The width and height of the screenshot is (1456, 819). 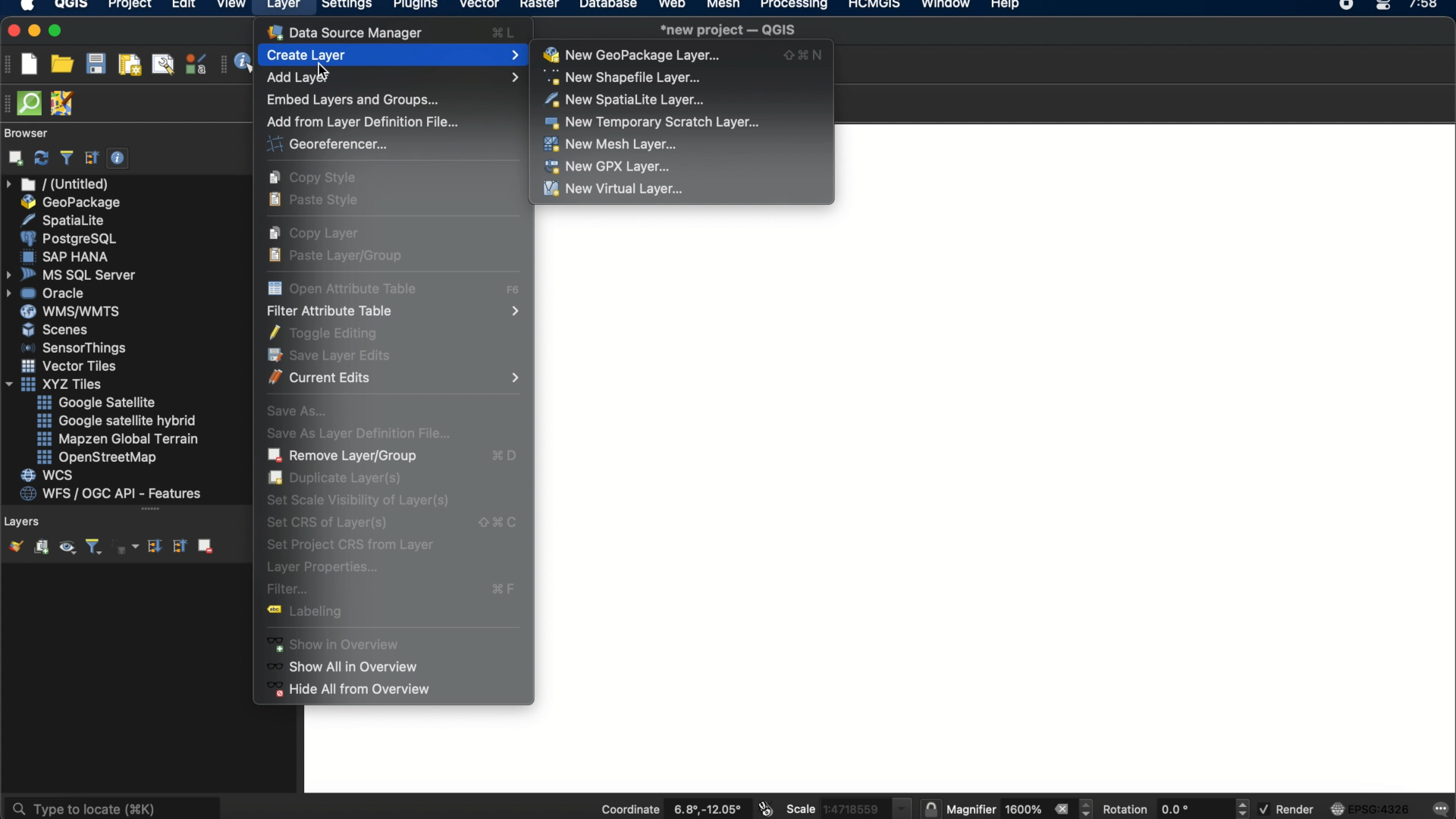 I want to click on render, so click(x=1288, y=810).